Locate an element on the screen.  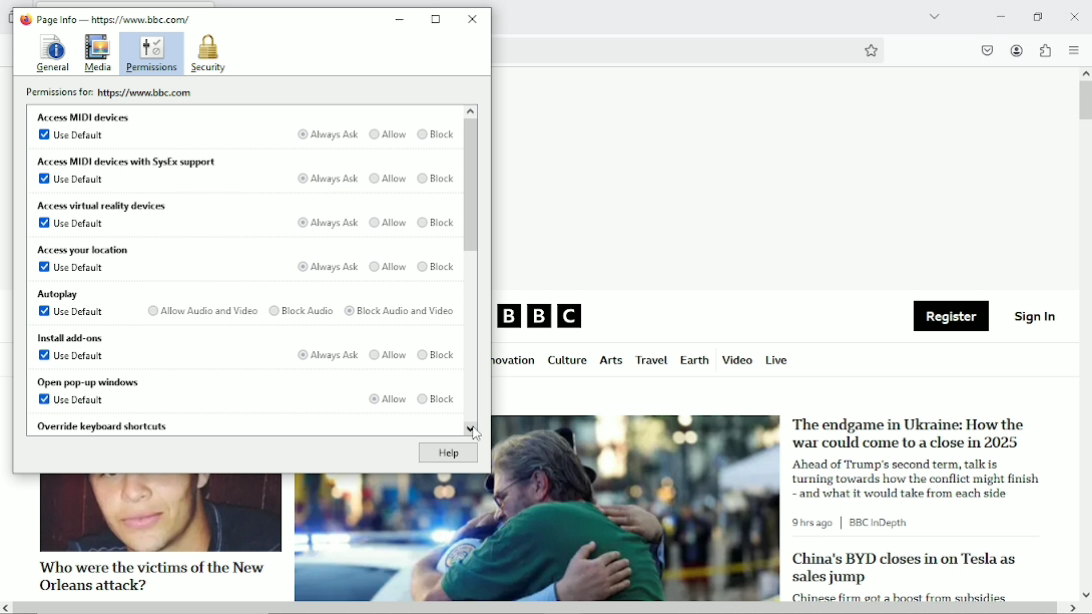
Use default is located at coordinates (77, 267).